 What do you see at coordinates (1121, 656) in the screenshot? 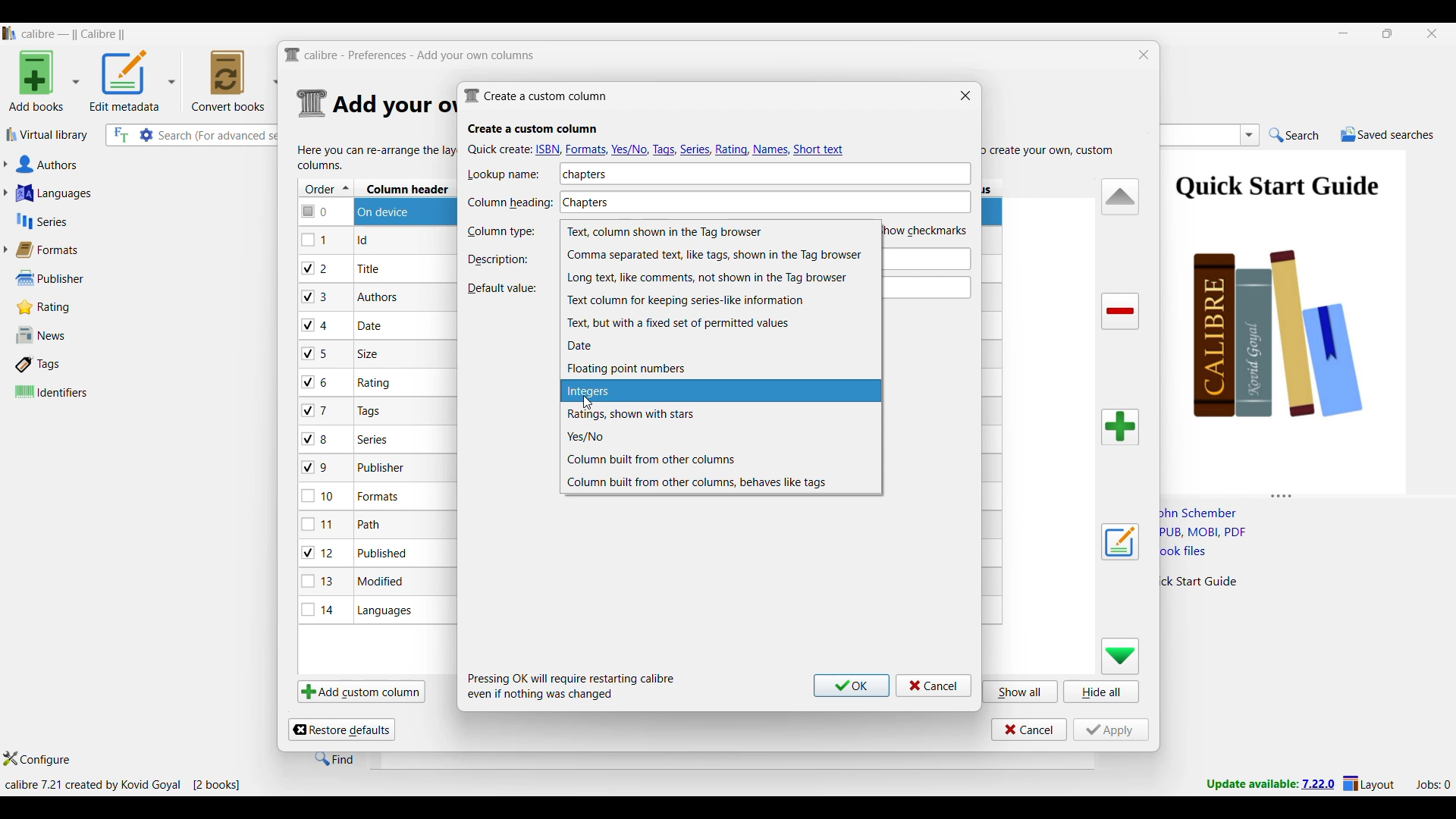
I see `Move row down` at bounding box center [1121, 656].